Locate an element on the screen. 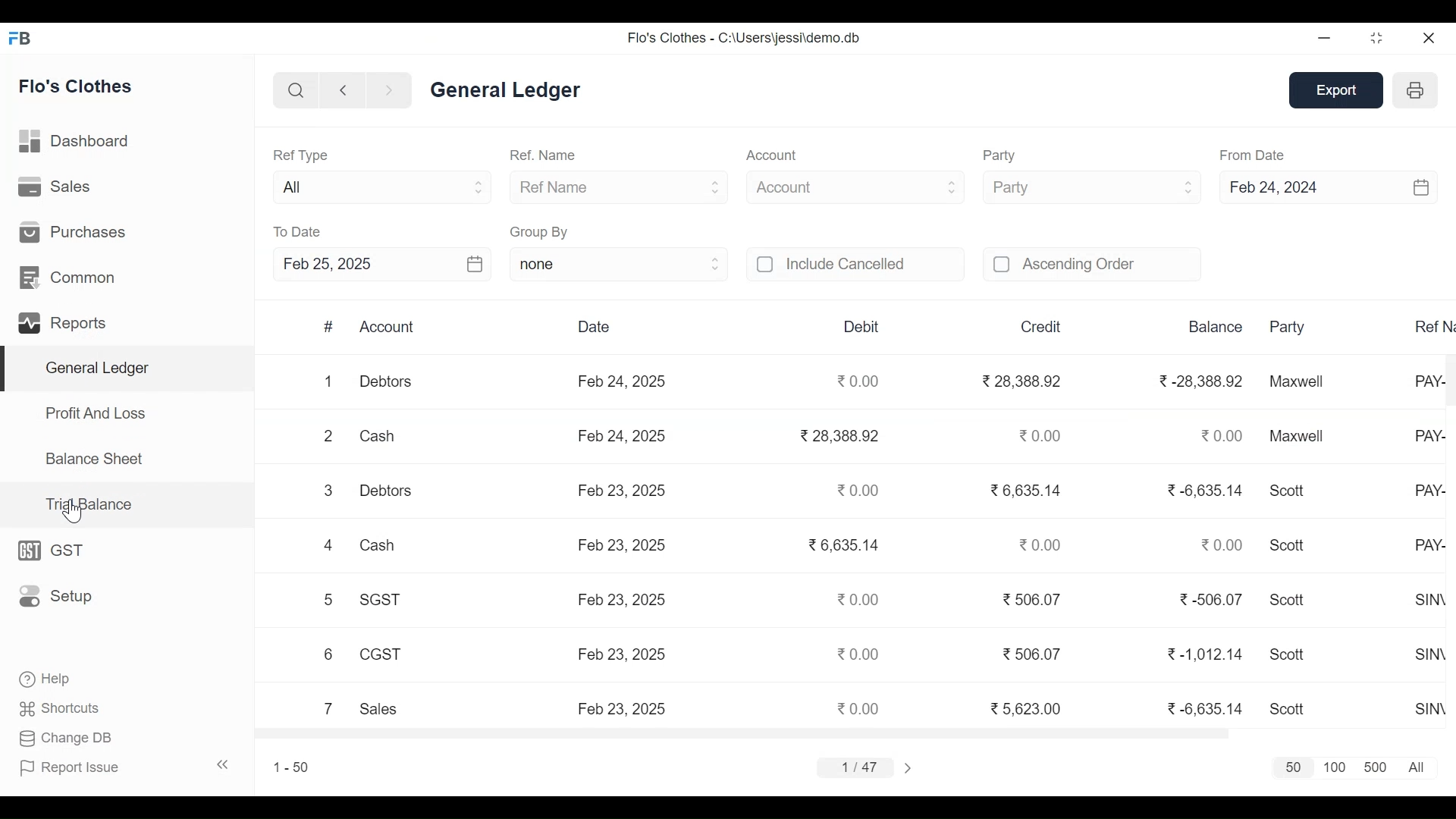  Purchases is located at coordinates (74, 232).